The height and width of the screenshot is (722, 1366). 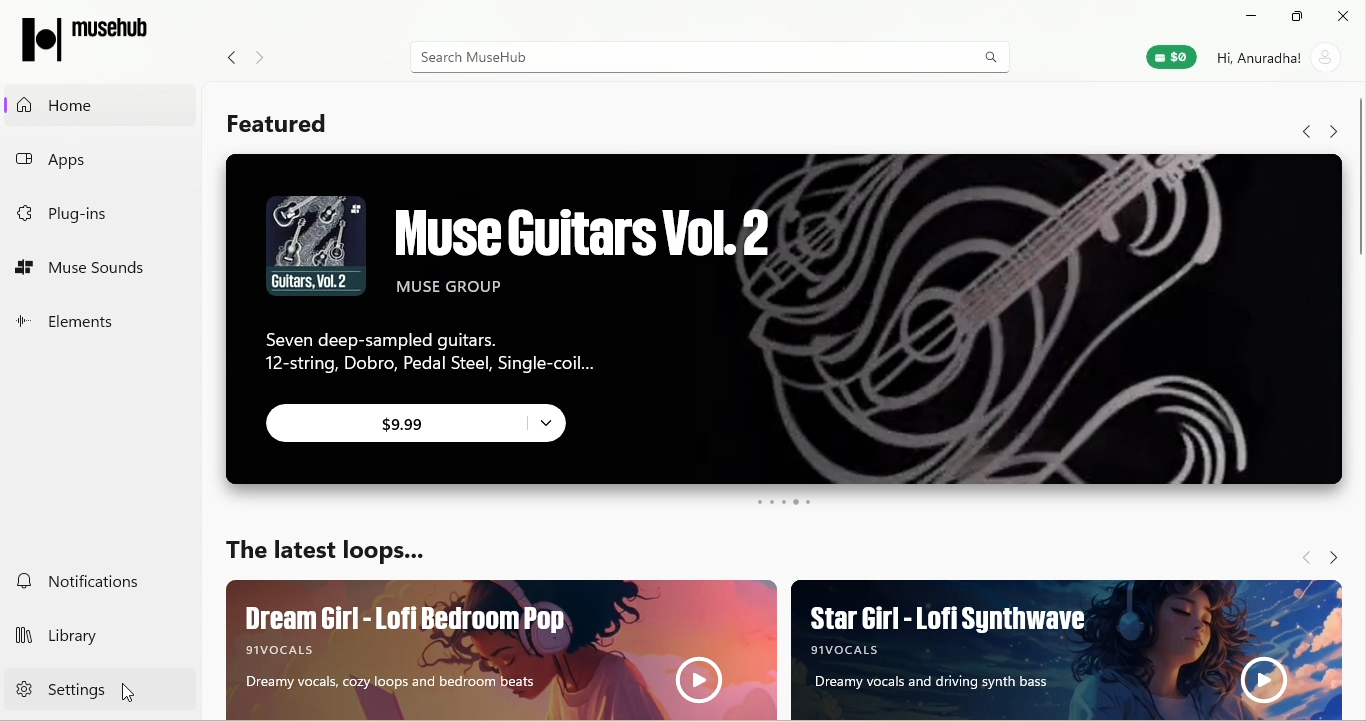 What do you see at coordinates (778, 264) in the screenshot?
I see `Muse guitars Vol. 2 Ad` at bounding box center [778, 264].